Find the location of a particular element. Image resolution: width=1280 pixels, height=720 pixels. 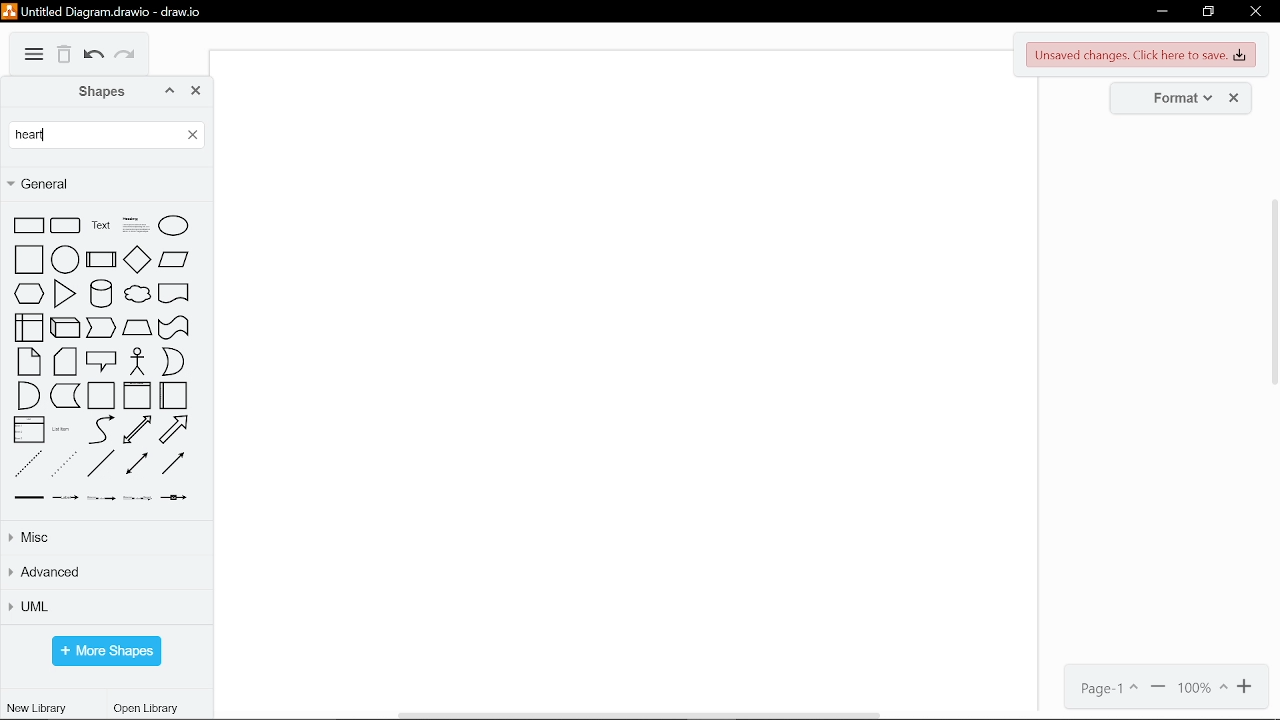

bidirectional connector is located at coordinates (136, 465).